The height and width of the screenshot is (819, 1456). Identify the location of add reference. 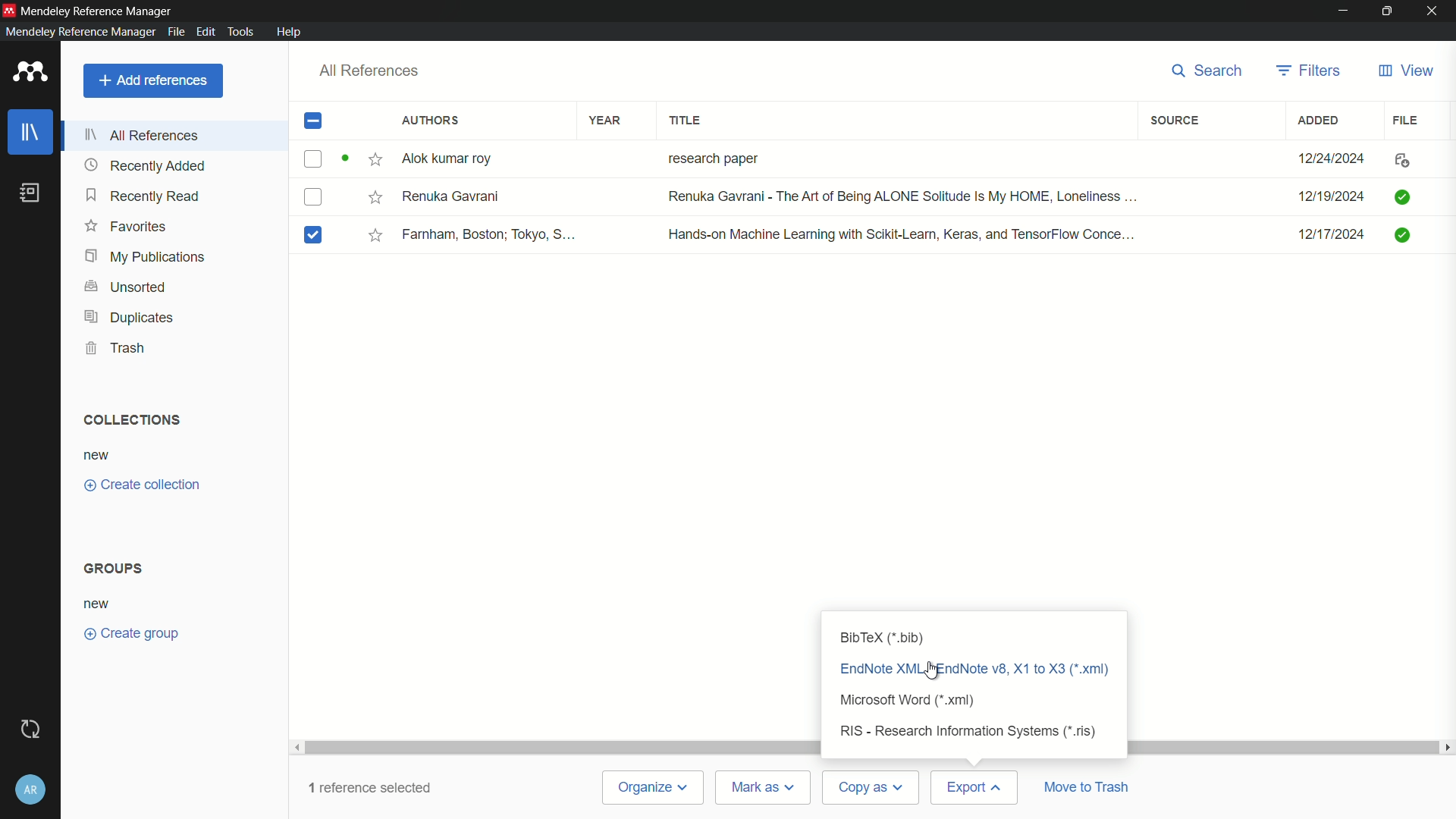
(153, 80).